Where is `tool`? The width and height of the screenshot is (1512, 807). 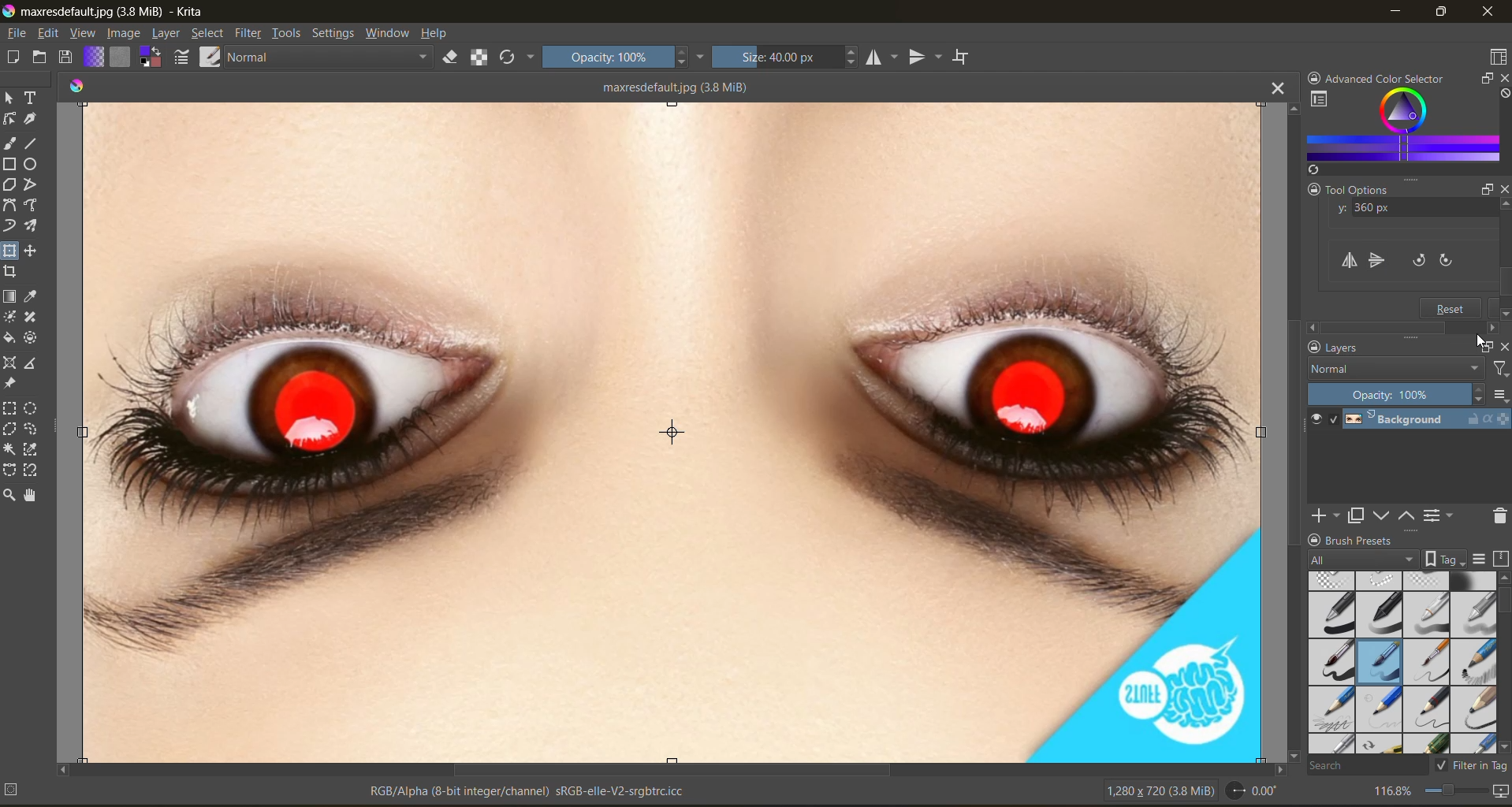 tool is located at coordinates (12, 250).